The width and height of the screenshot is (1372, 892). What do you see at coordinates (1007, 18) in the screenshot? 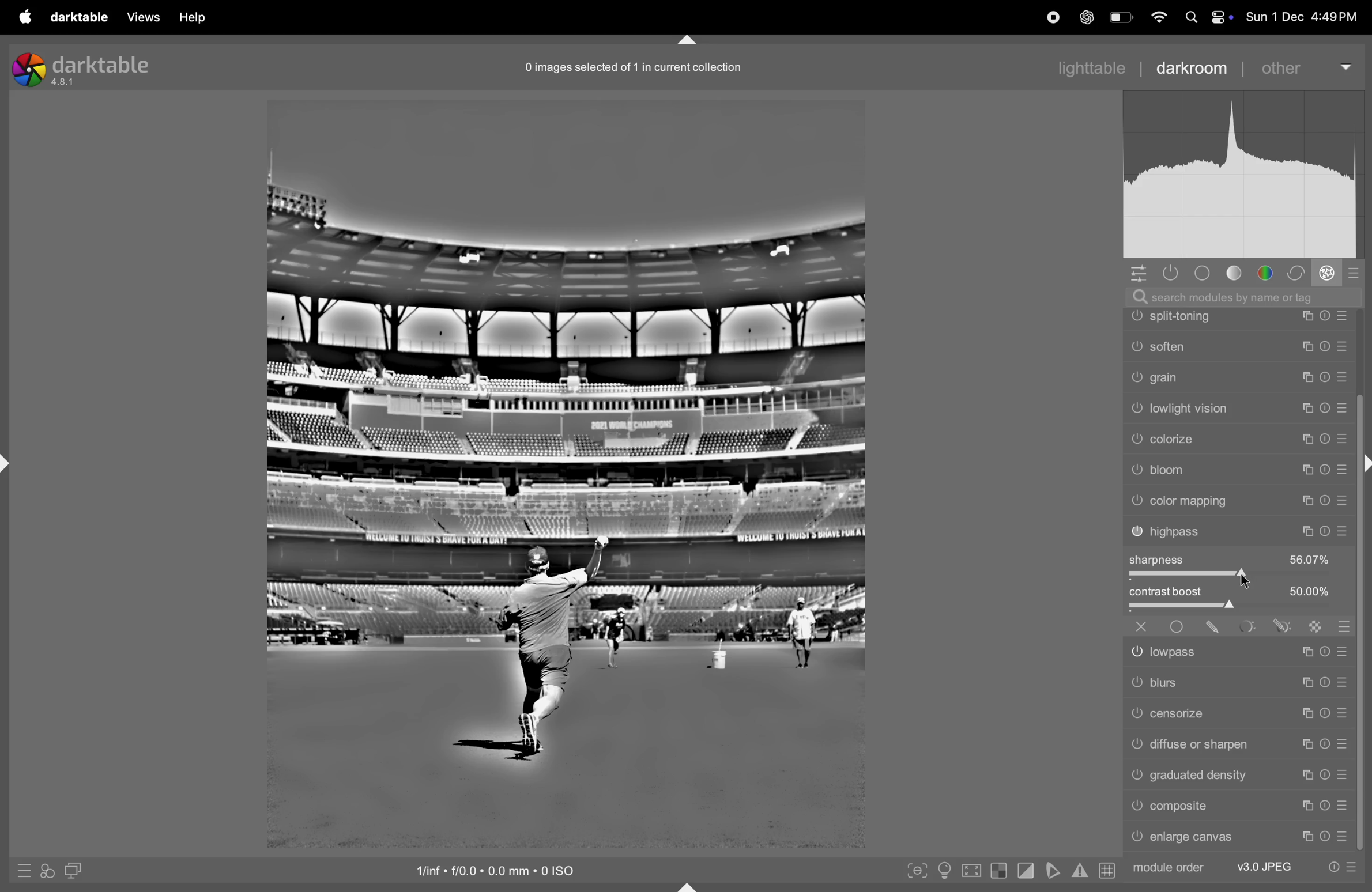
I see `record` at bounding box center [1007, 18].